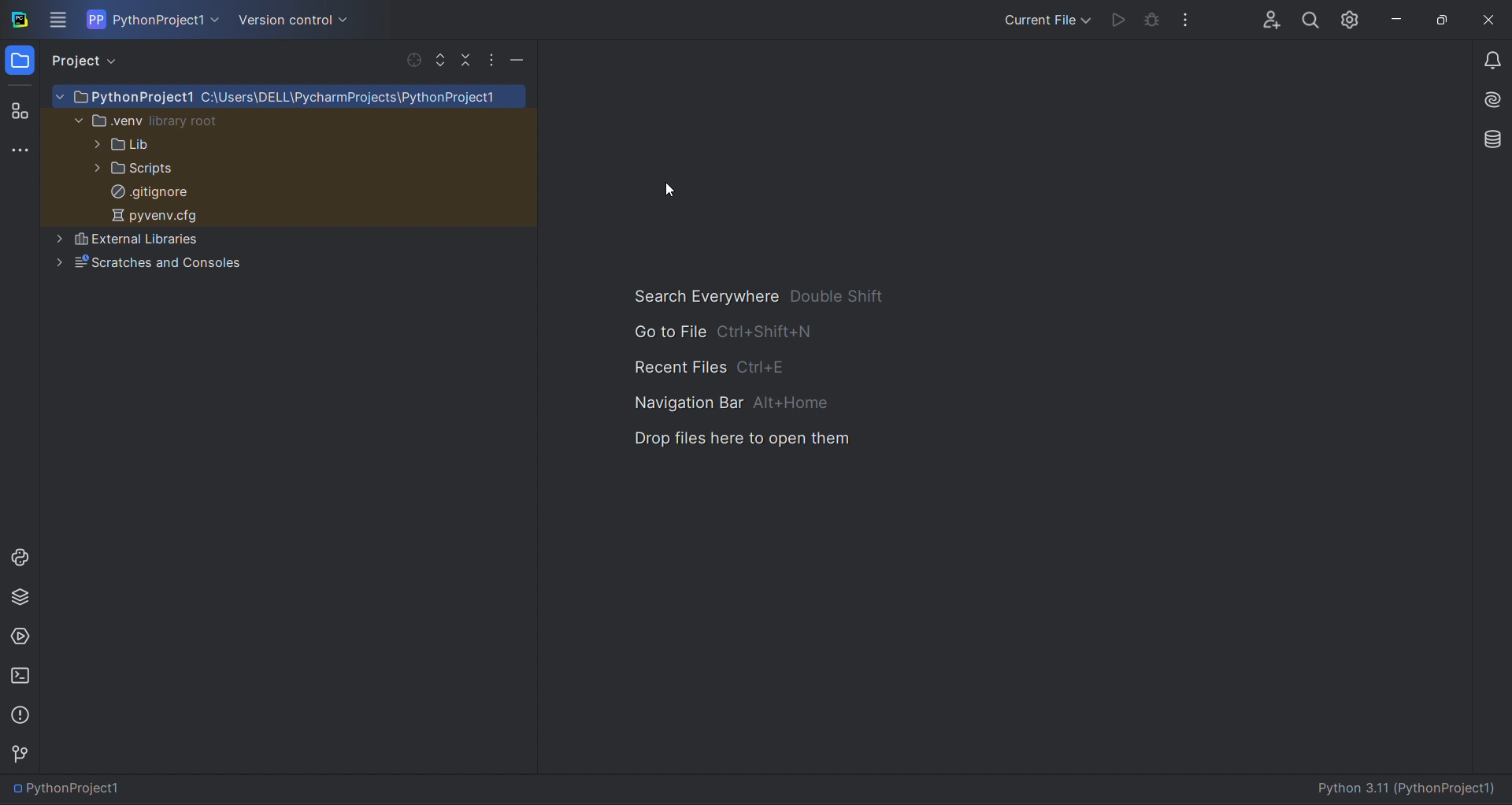 The image size is (1512, 805). Describe the element at coordinates (756, 437) in the screenshot. I see `Drop files here to open them` at that location.